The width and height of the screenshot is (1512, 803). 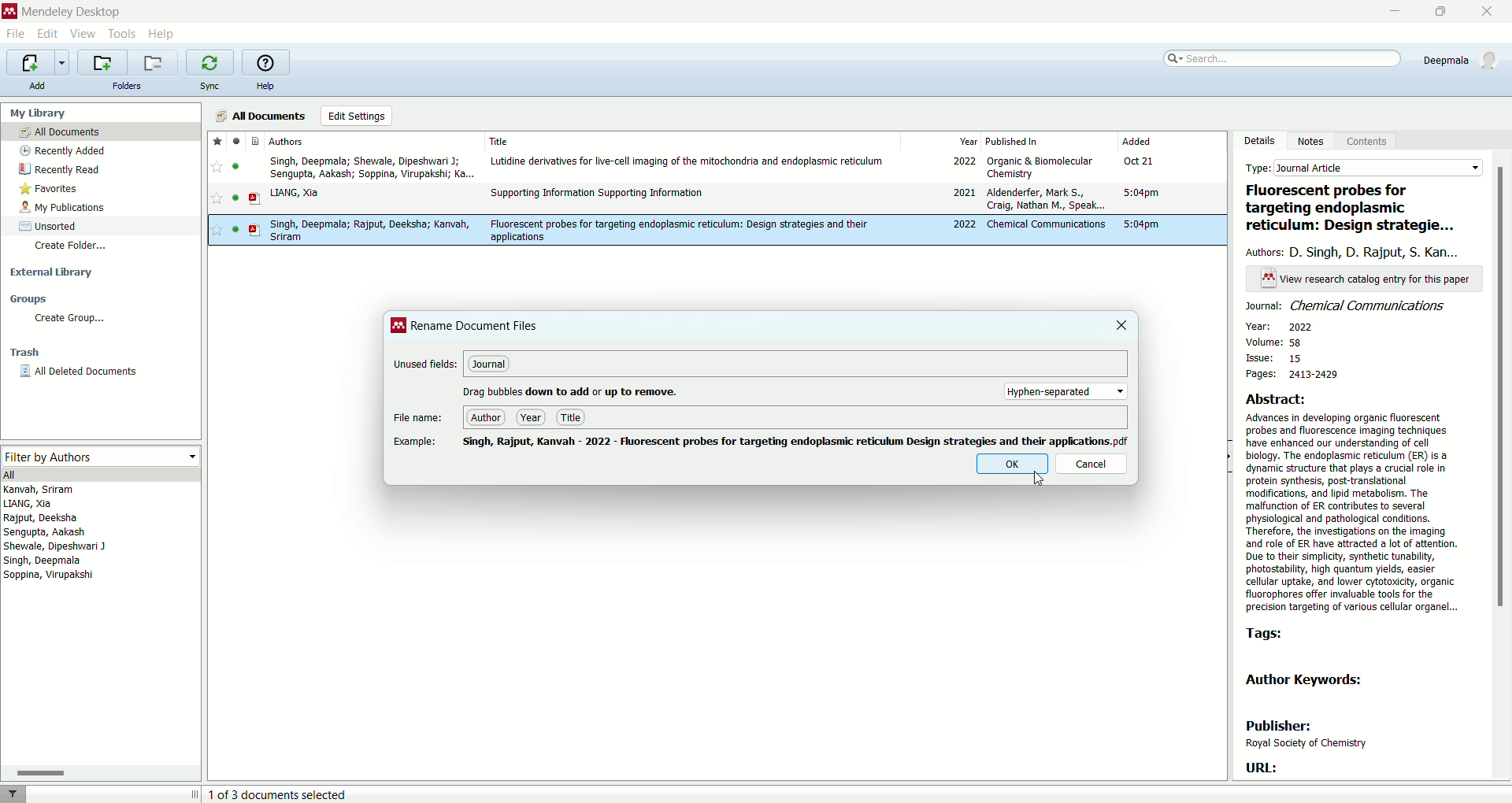 I want to click on document, so click(x=258, y=140).